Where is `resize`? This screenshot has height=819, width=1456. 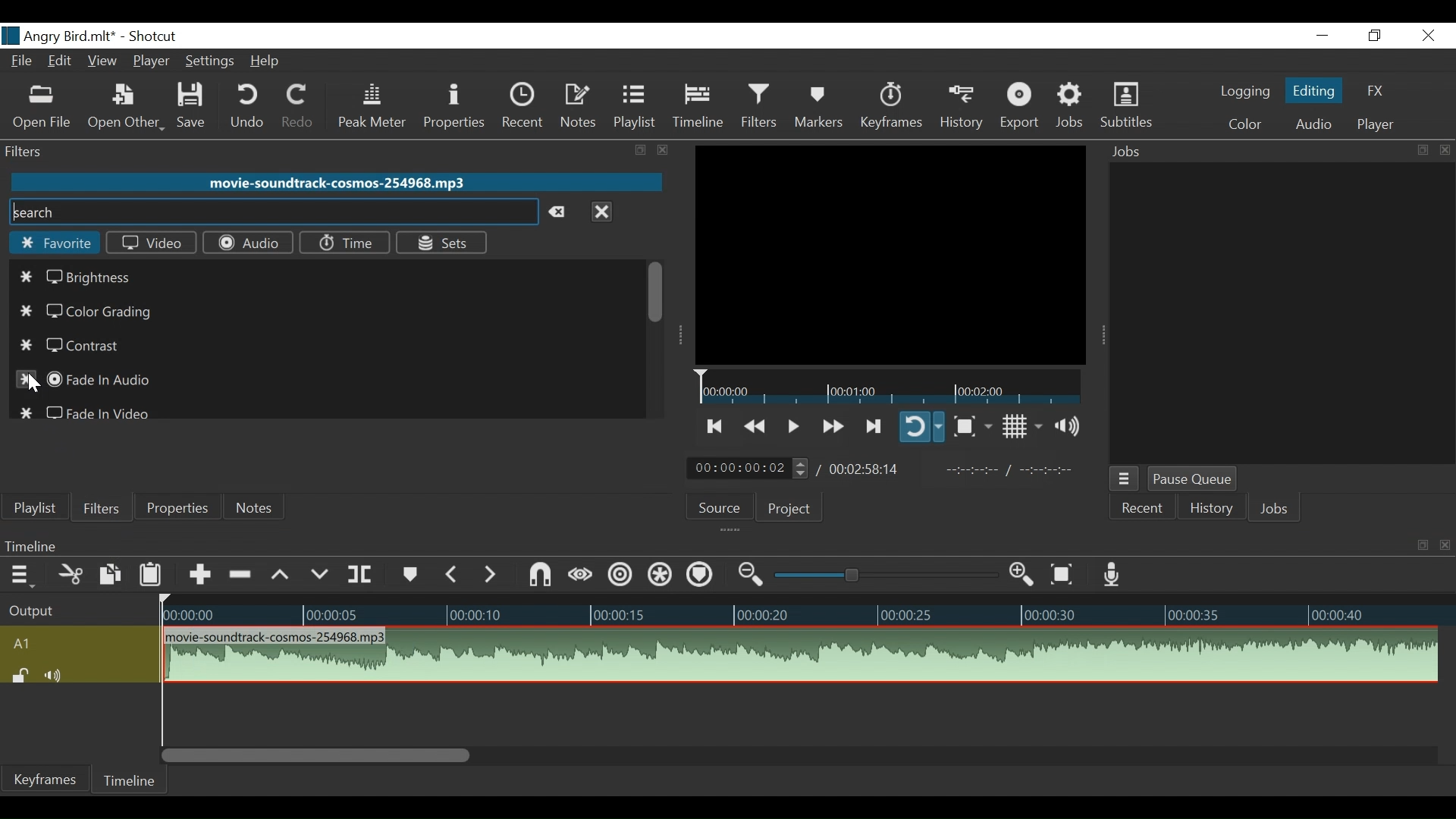 resize is located at coordinates (1421, 546).